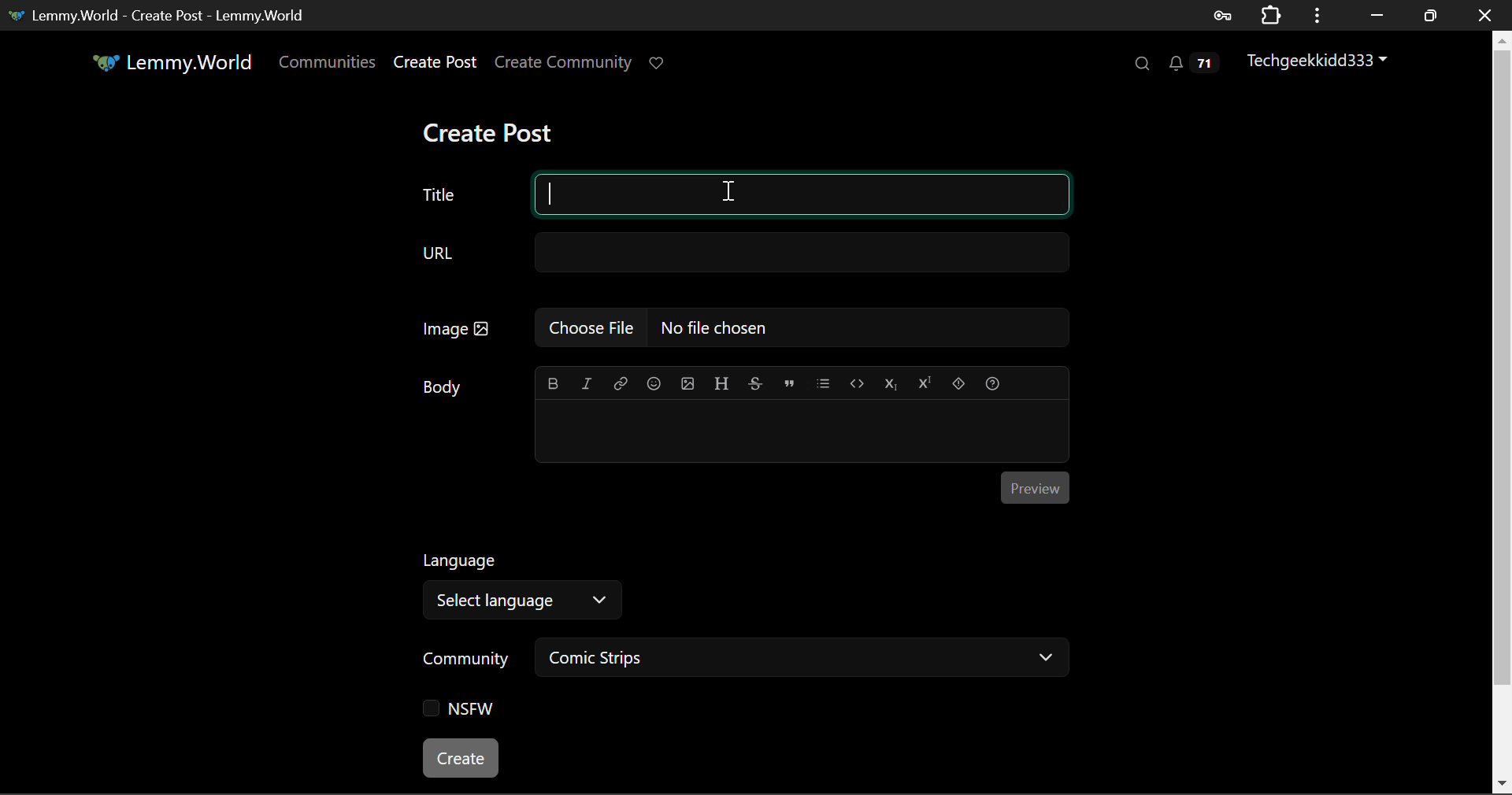 Image resolution: width=1512 pixels, height=795 pixels. What do you see at coordinates (992, 383) in the screenshot?
I see `formatting help` at bounding box center [992, 383].